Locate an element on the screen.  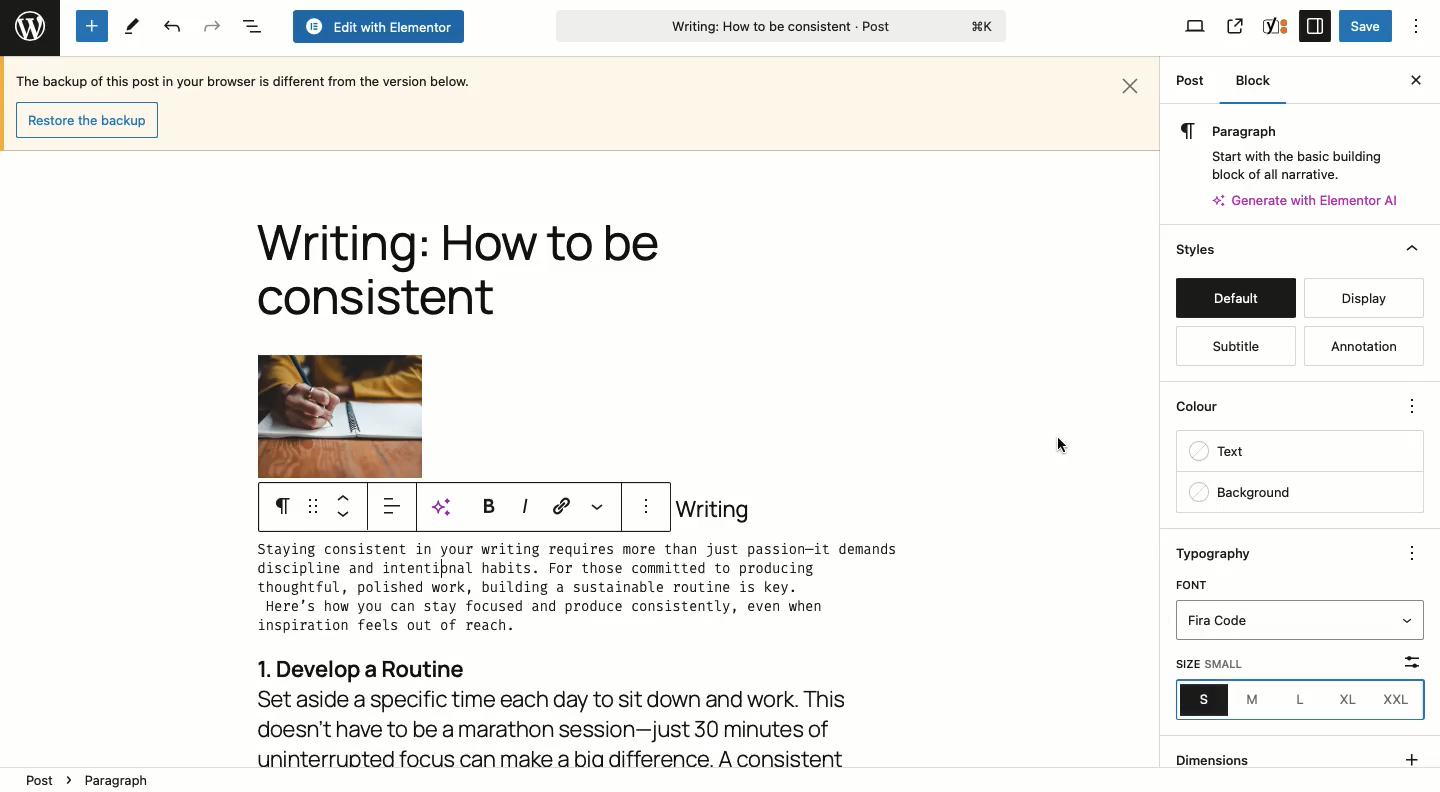
Annotation is located at coordinates (1359, 345).